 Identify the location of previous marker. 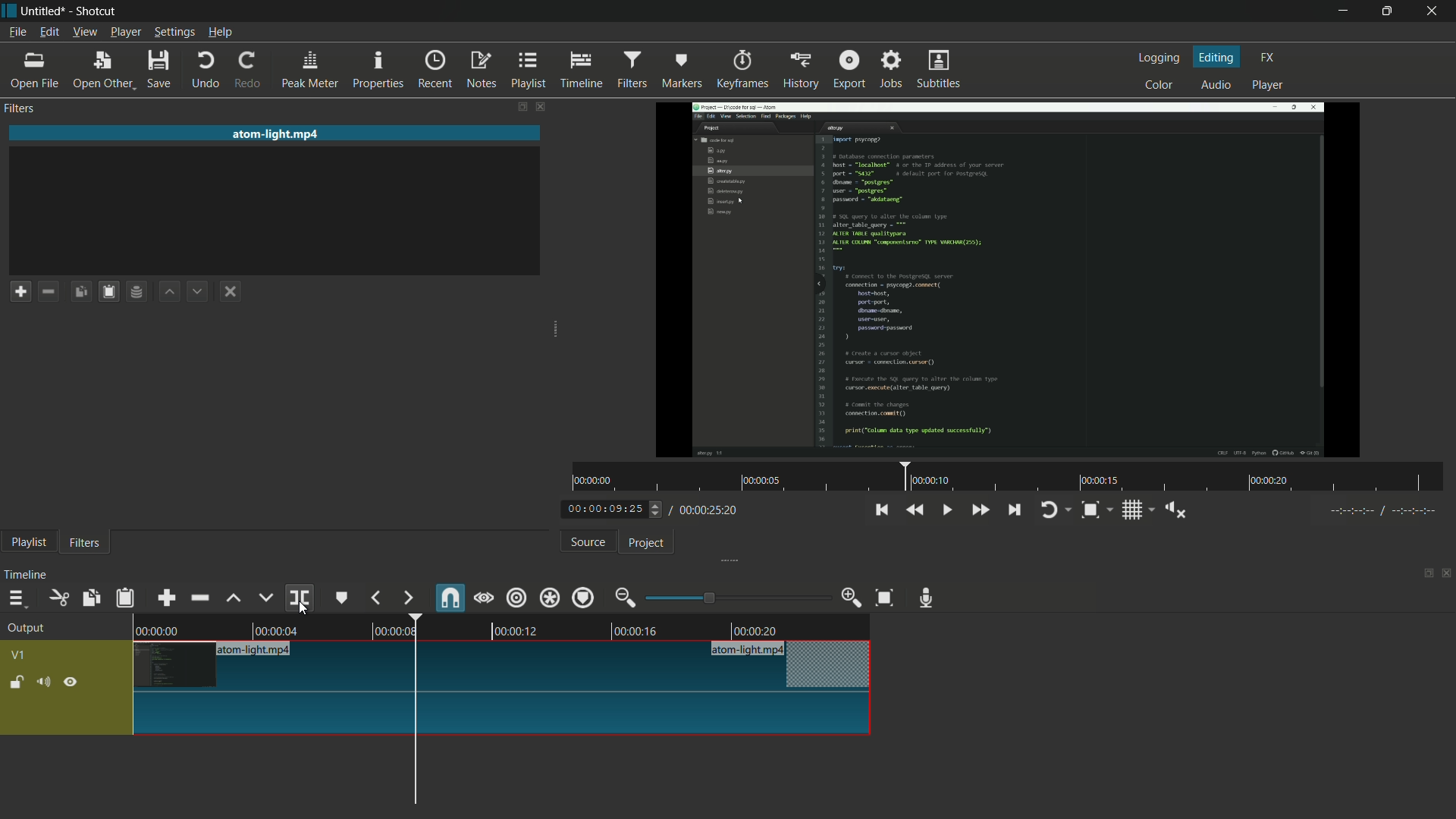
(377, 598).